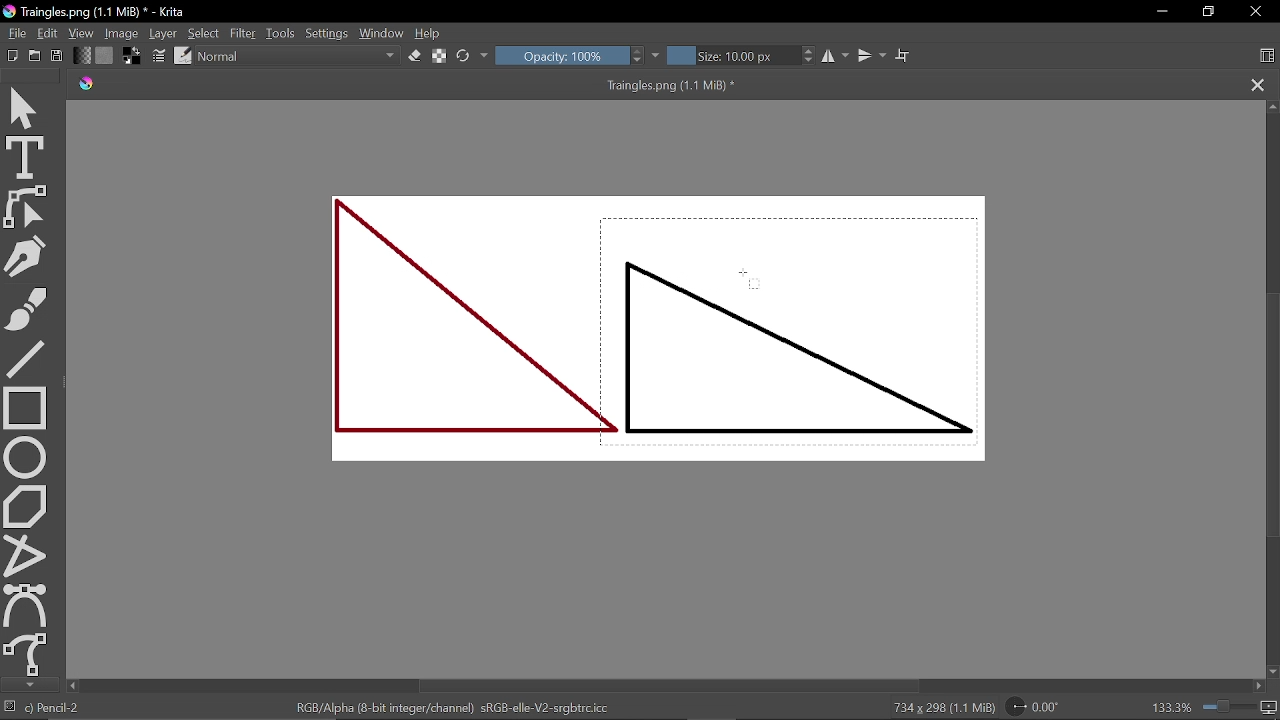 The width and height of the screenshot is (1280, 720). What do you see at coordinates (158, 56) in the screenshot?
I see `Edit brush settings` at bounding box center [158, 56].